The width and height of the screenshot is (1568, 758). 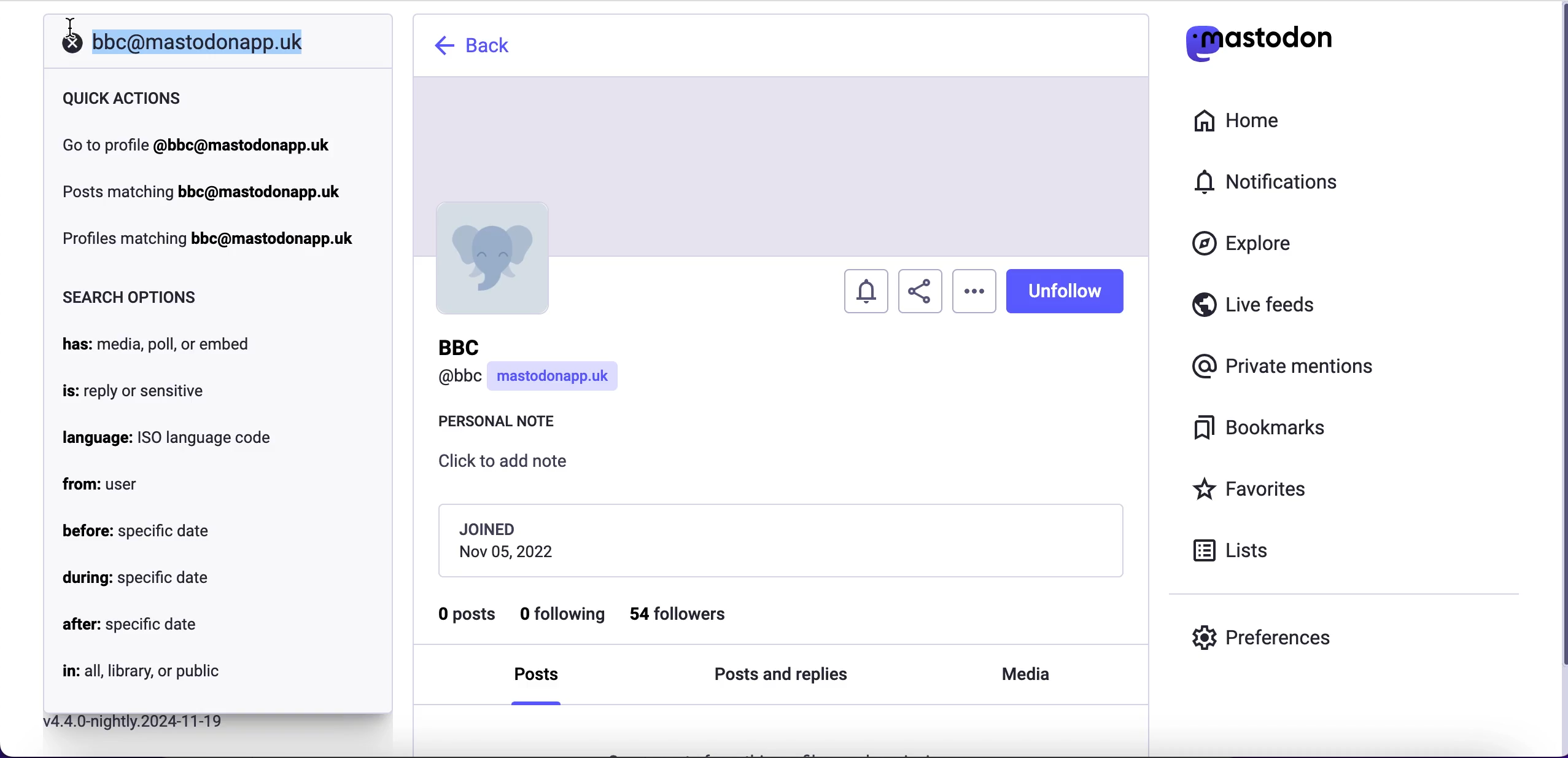 What do you see at coordinates (564, 616) in the screenshot?
I see `0 following` at bounding box center [564, 616].